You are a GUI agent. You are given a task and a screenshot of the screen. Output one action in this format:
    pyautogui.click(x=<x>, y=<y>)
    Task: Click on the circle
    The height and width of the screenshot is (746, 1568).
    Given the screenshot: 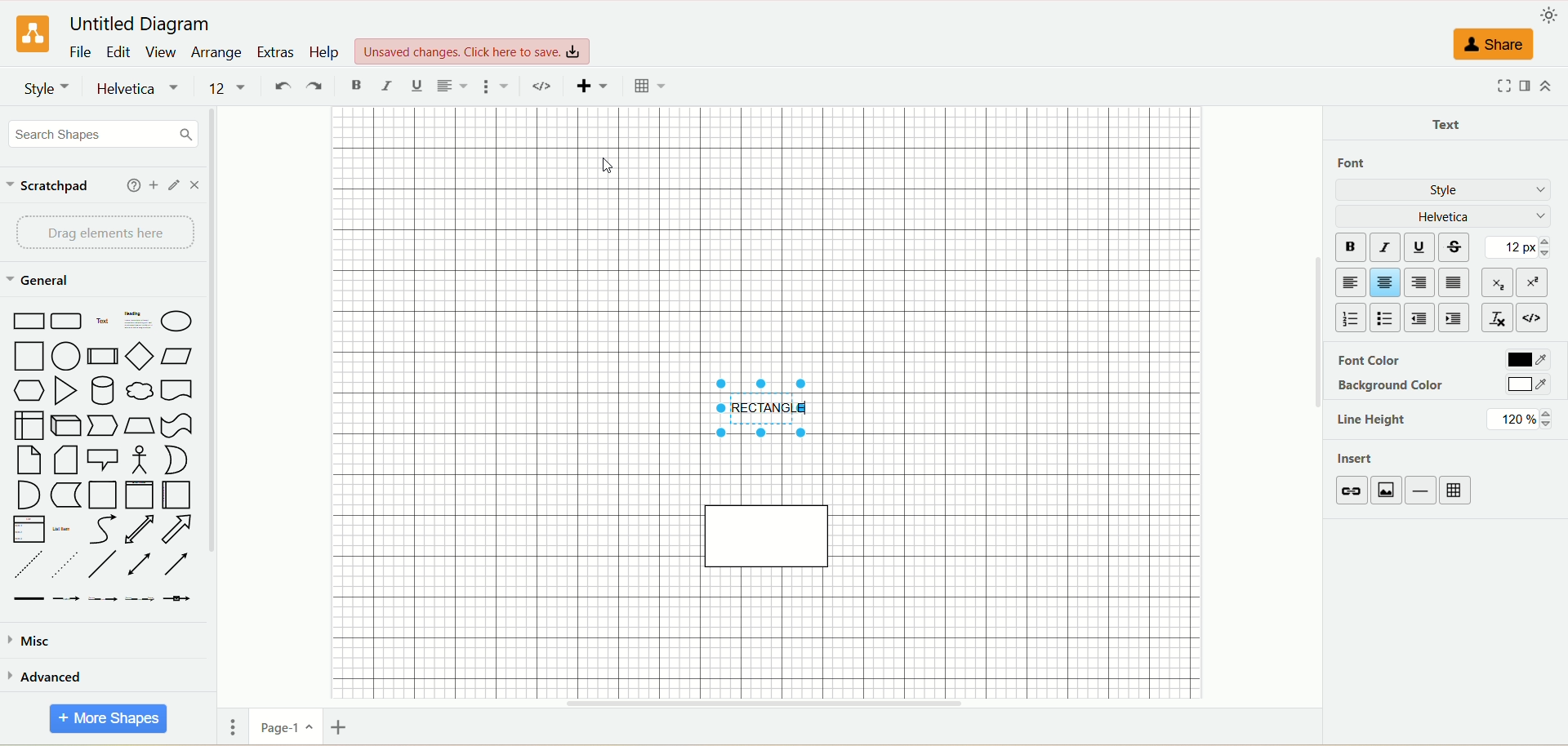 What is the action you would take?
    pyautogui.click(x=178, y=320)
    